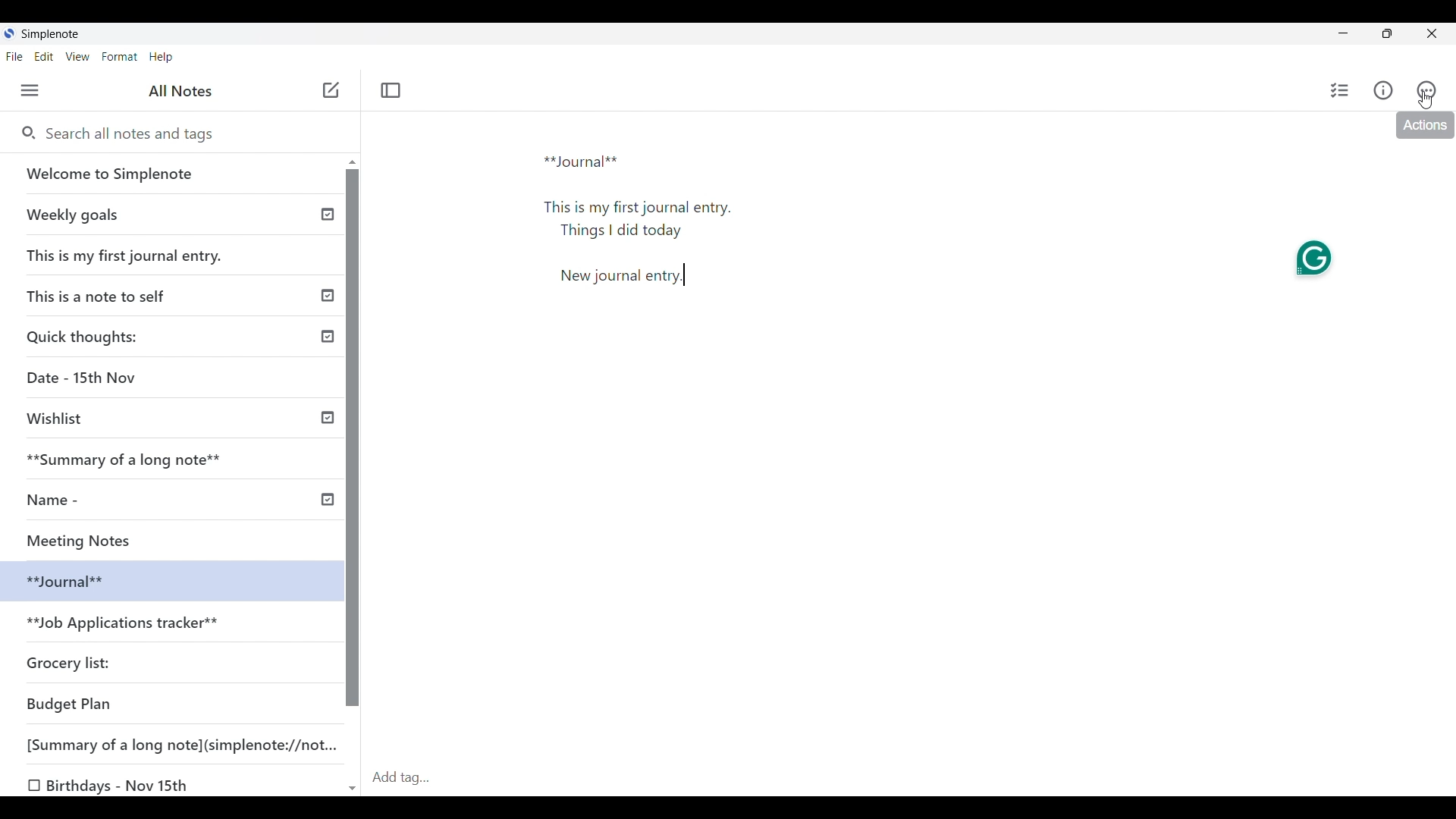 The width and height of the screenshot is (1456, 819). What do you see at coordinates (189, 744) in the screenshot?
I see `[Summary of a long note](simplenote://not...` at bounding box center [189, 744].